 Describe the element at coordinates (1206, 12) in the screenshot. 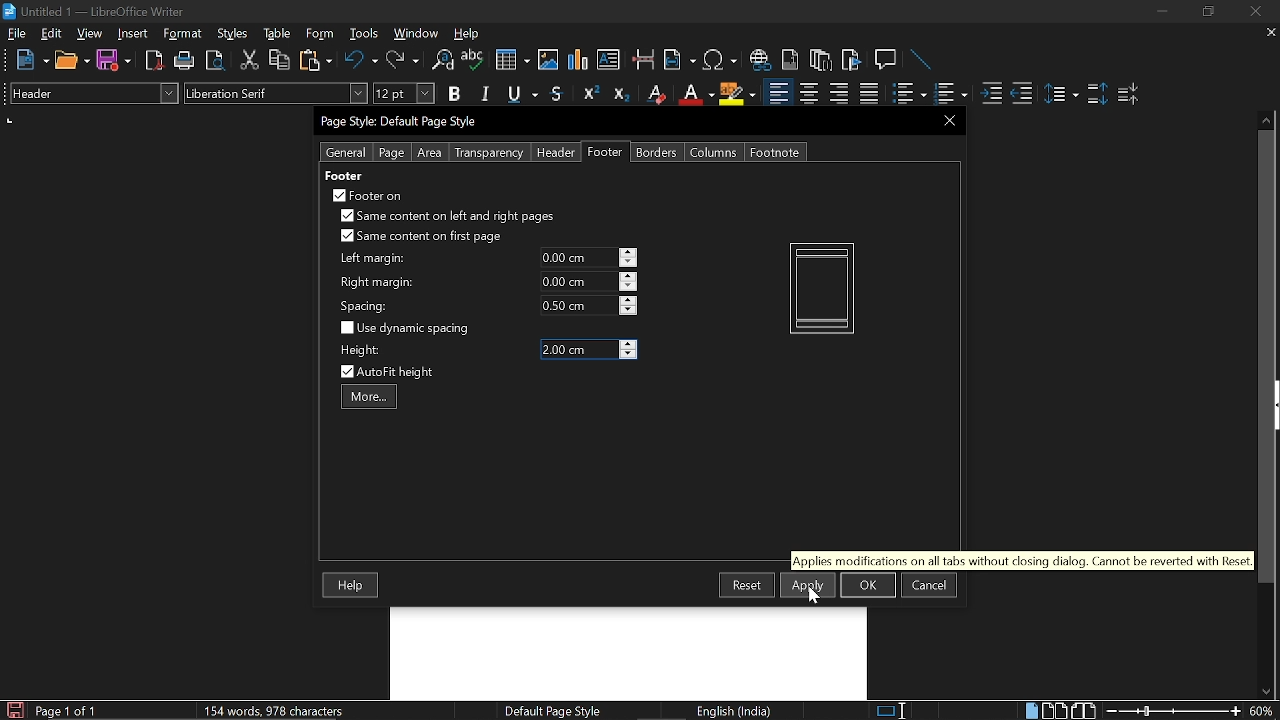

I see `Restore down` at that location.